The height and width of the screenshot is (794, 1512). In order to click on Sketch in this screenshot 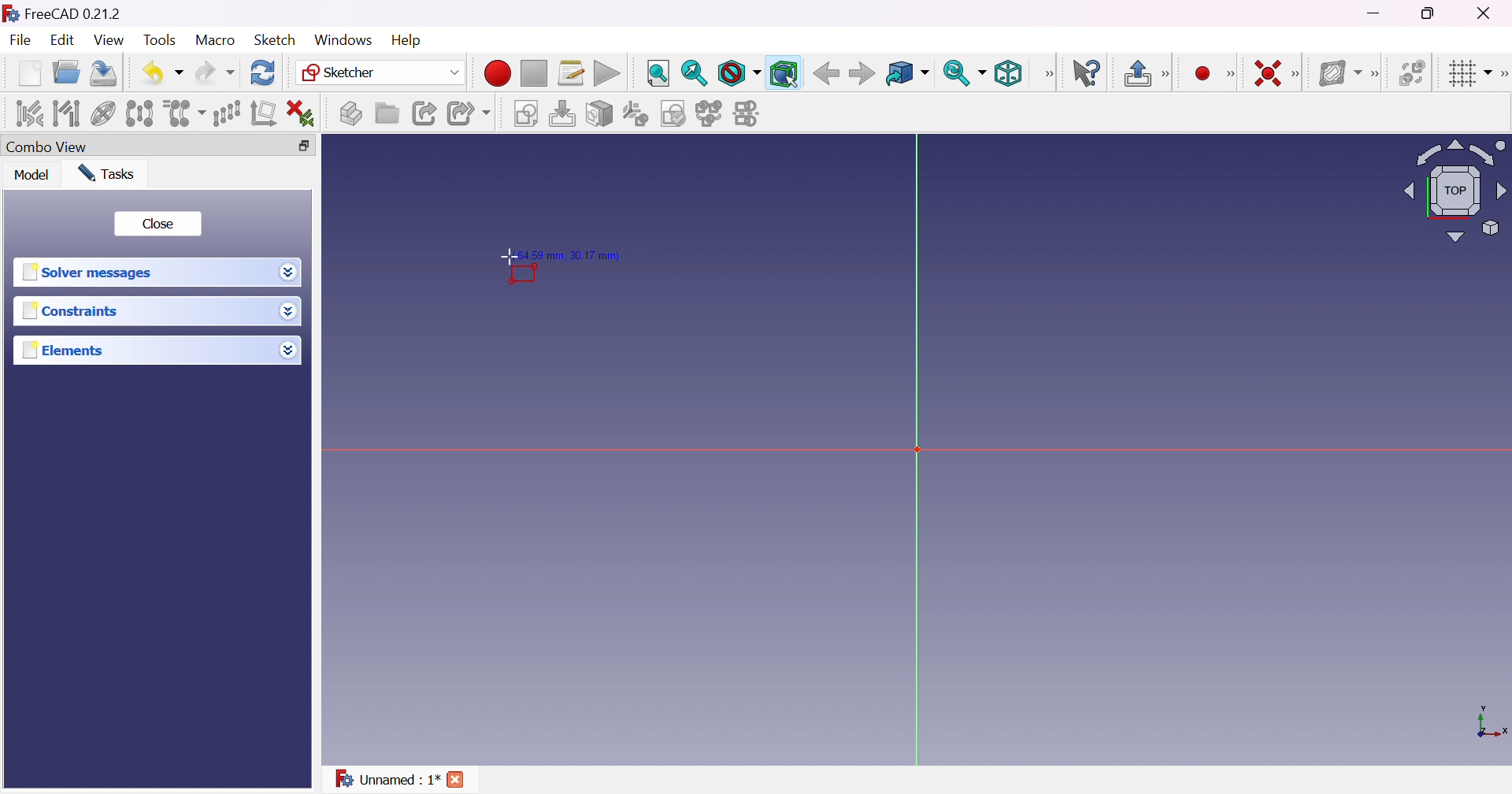, I will do `click(276, 40)`.